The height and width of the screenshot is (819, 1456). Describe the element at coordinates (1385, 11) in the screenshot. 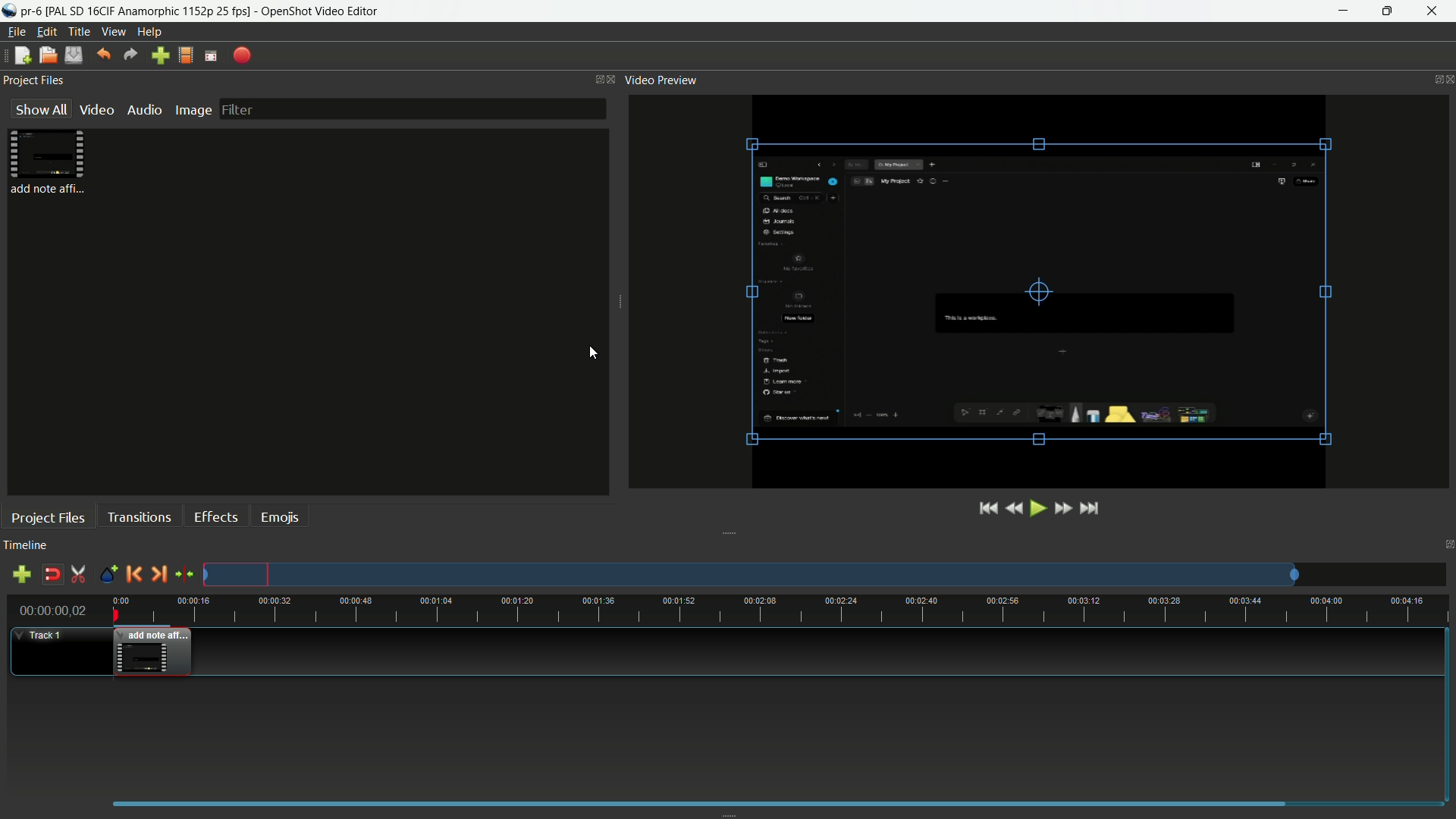

I see `maximize` at that location.